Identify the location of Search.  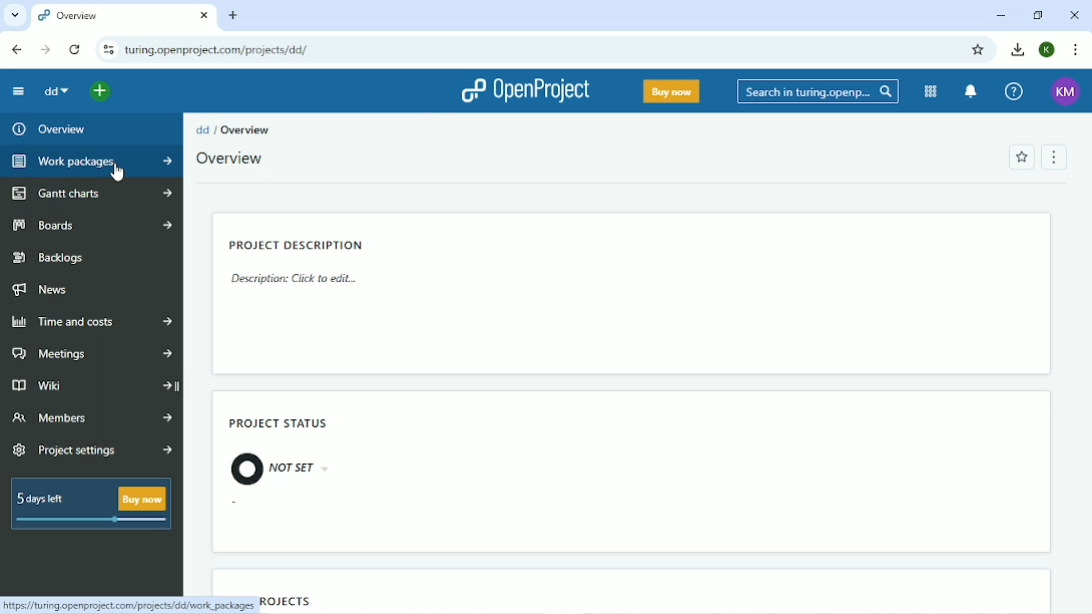
(819, 92).